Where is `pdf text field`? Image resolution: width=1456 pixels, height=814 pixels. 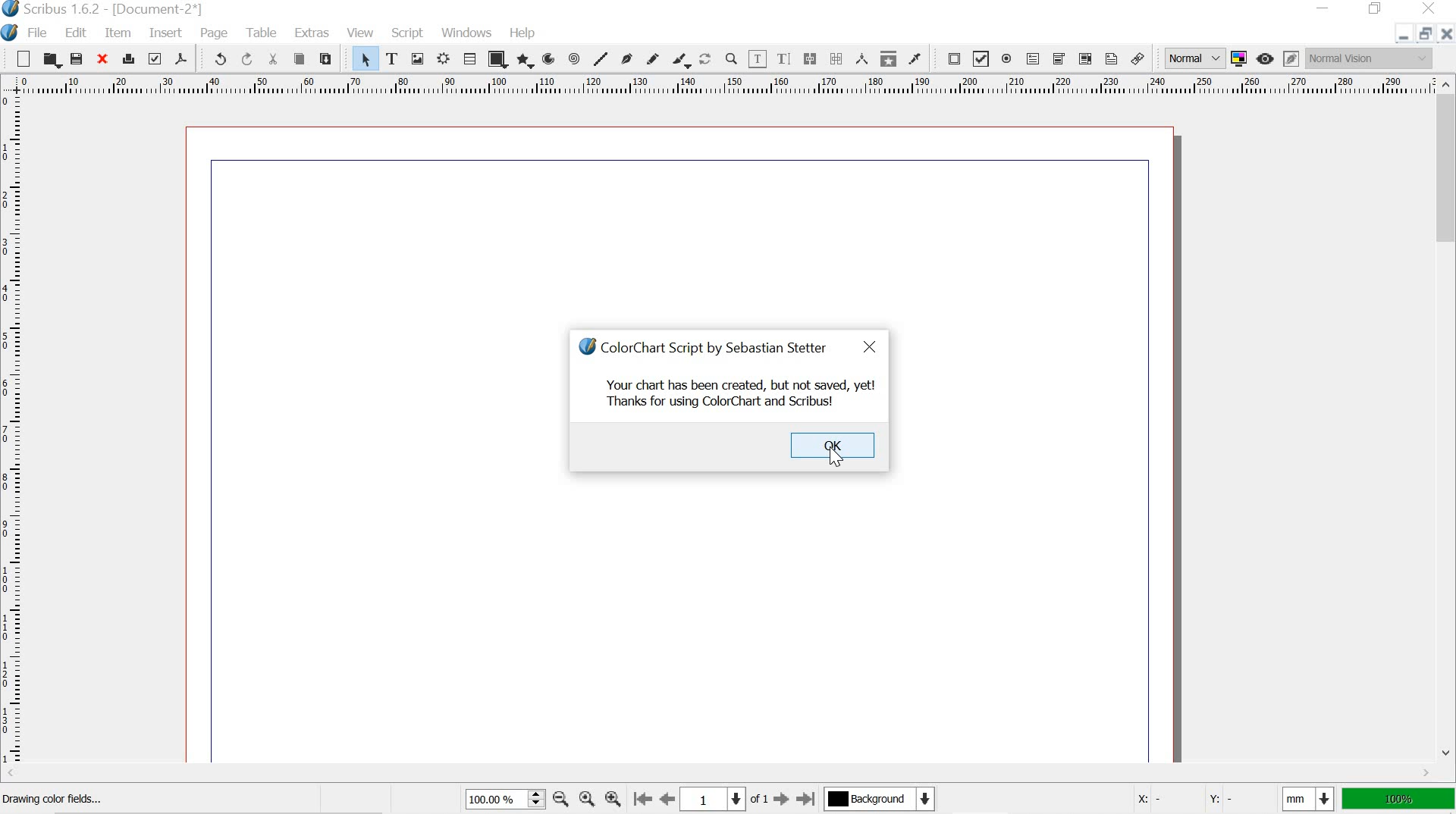
pdf text field is located at coordinates (1034, 60).